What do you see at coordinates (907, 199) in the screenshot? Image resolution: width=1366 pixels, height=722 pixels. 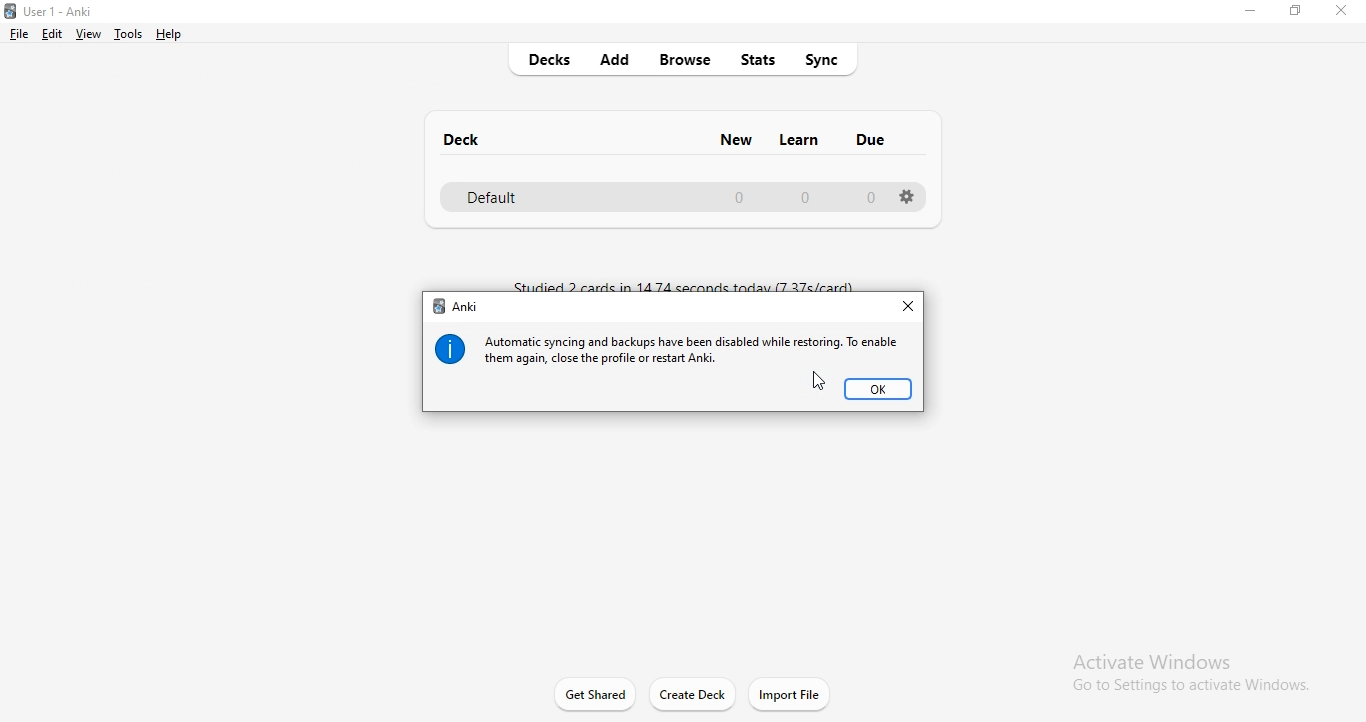 I see `settings` at bounding box center [907, 199].